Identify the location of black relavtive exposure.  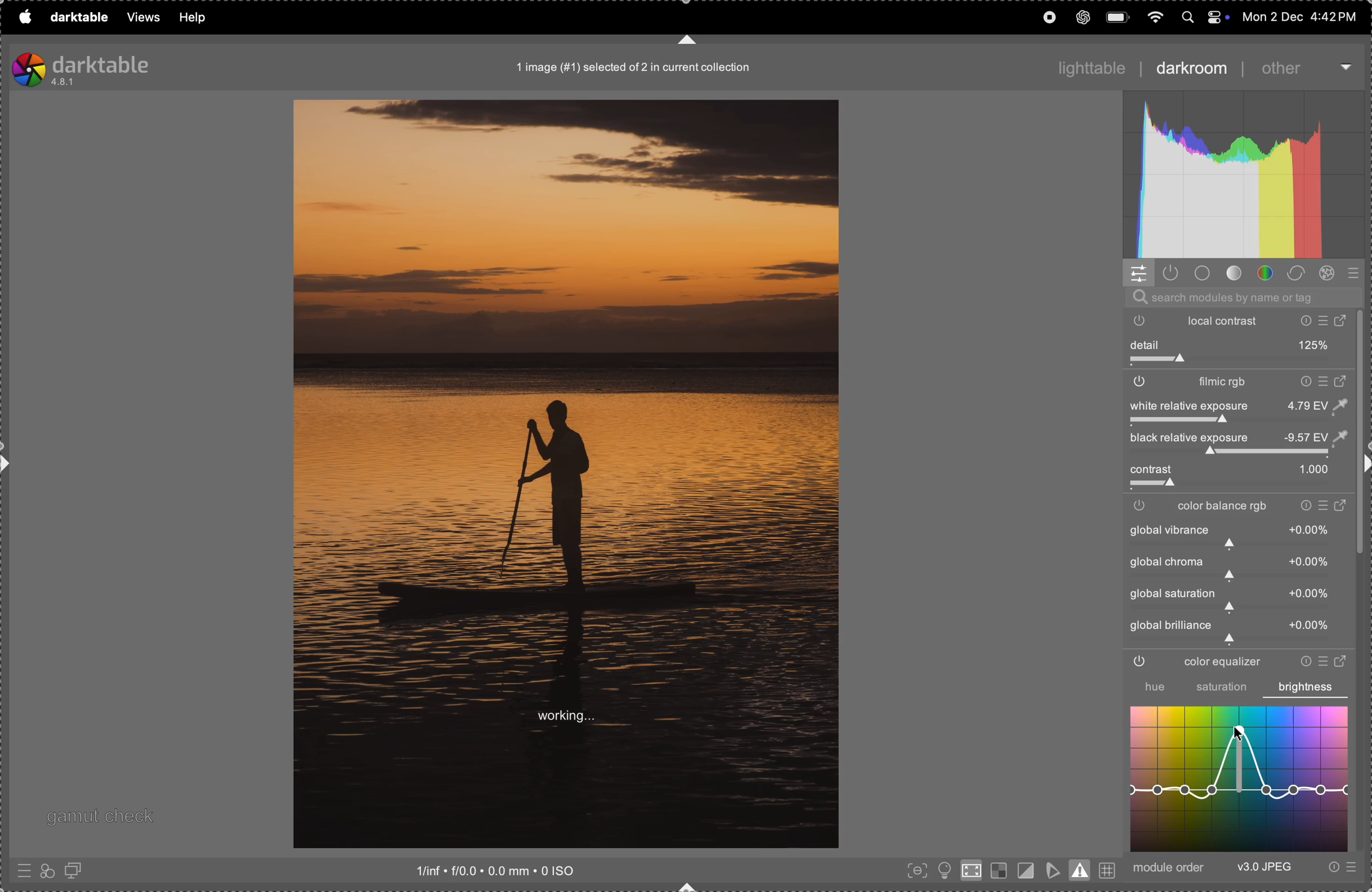
(1245, 438).